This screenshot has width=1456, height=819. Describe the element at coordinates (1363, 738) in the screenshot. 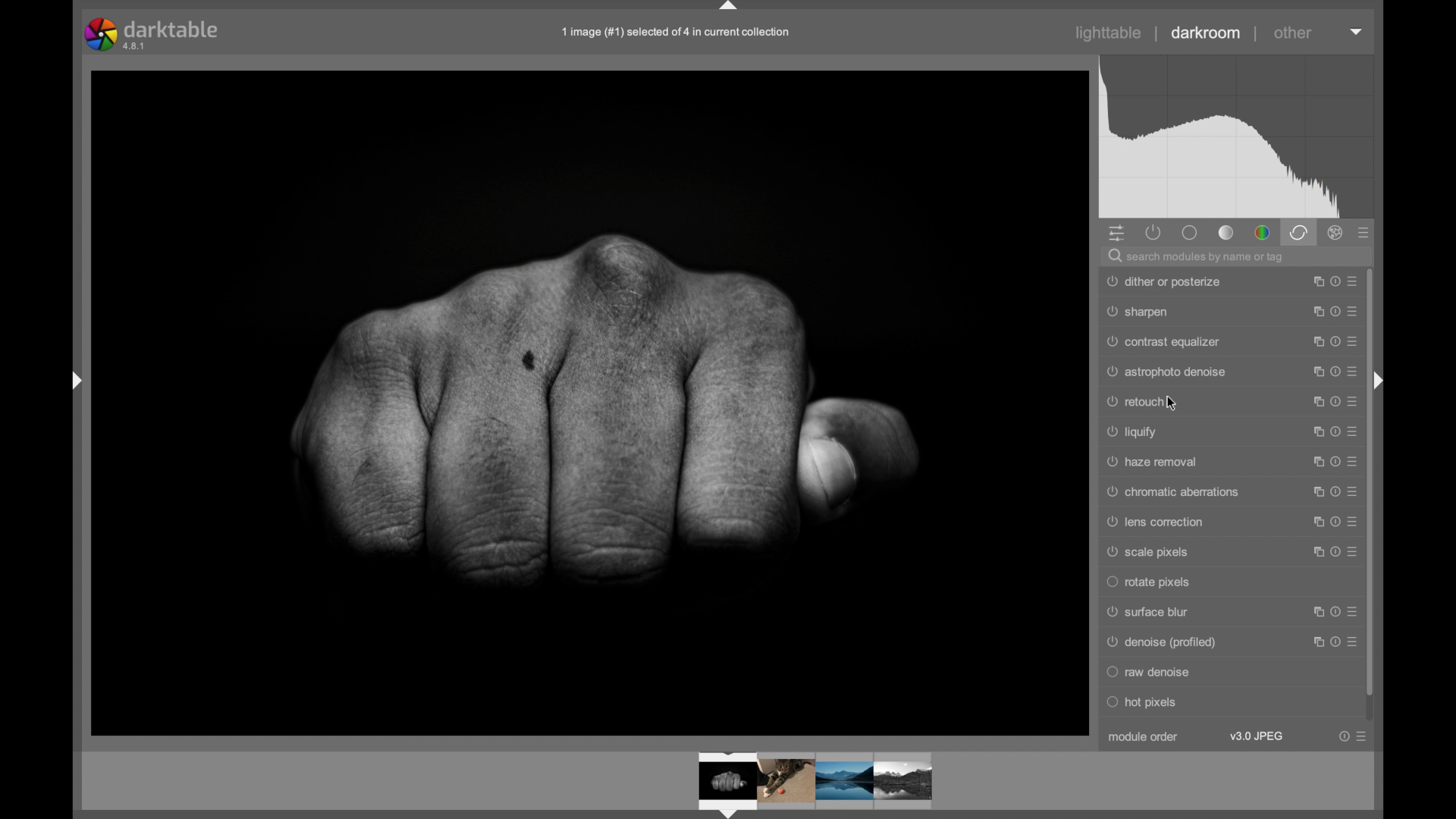

I see `more options` at that location.